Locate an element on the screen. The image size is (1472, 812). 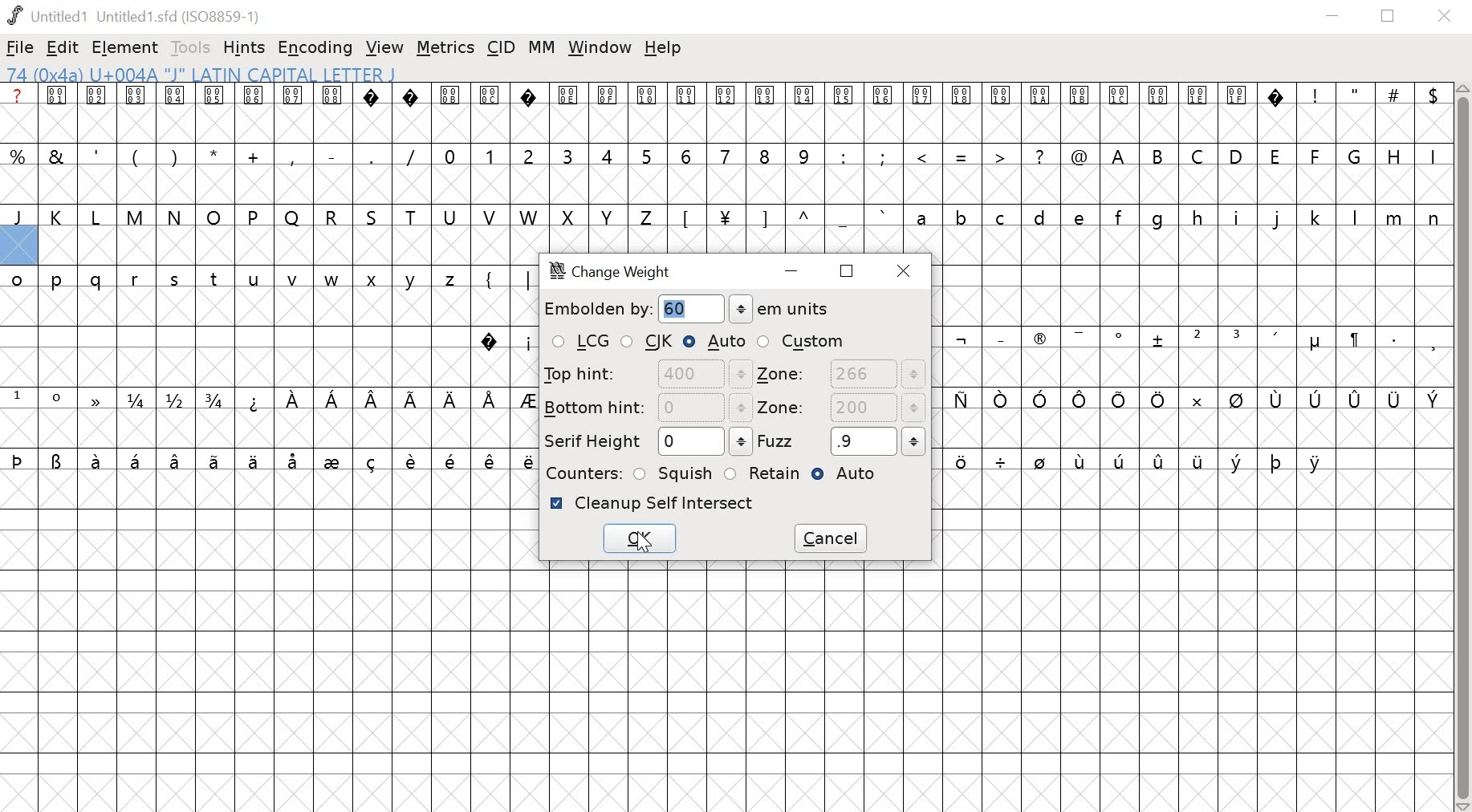
TOOLS is located at coordinates (193, 47).